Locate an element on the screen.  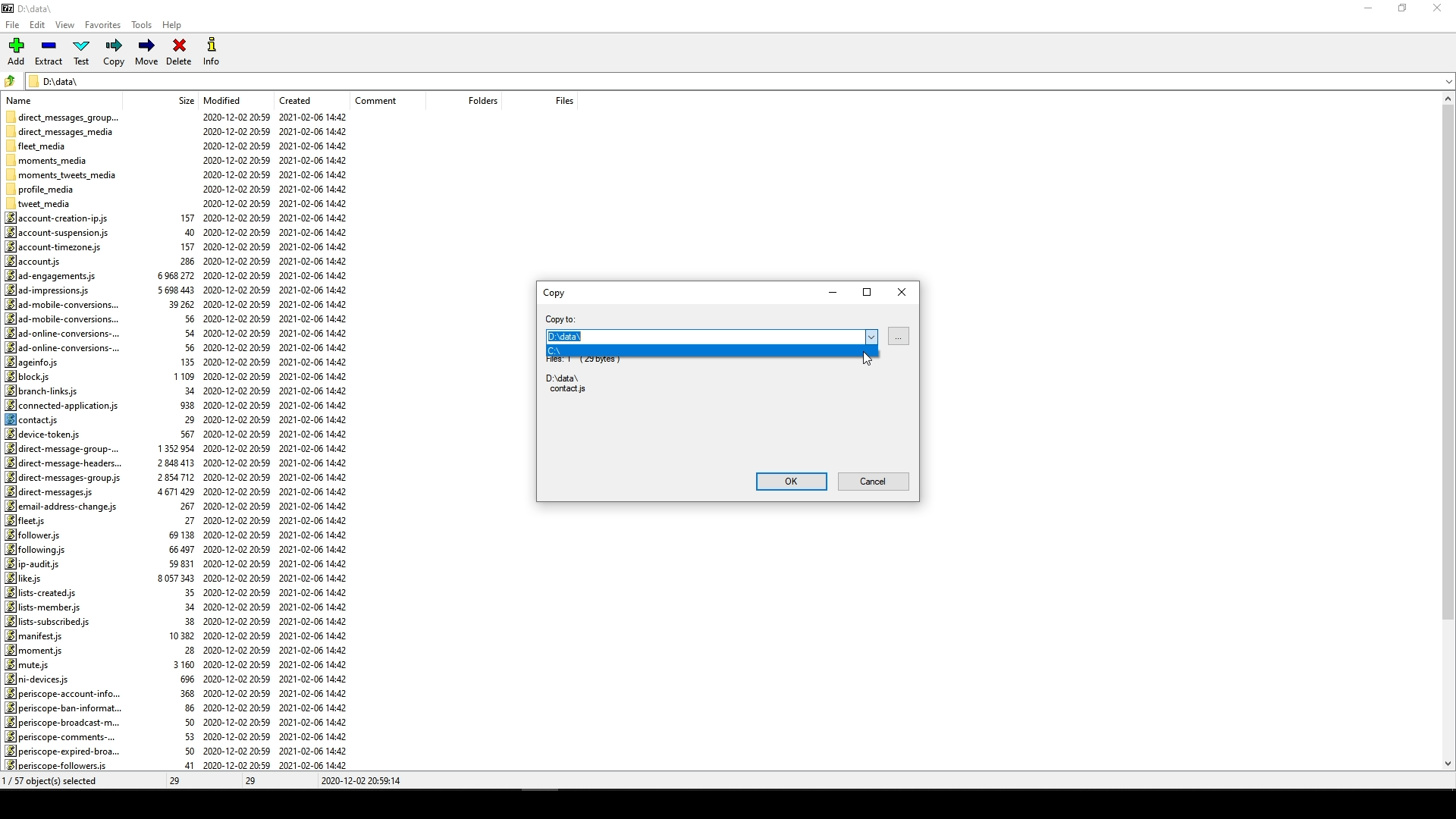
periscope-comments is located at coordinates (59, 737).